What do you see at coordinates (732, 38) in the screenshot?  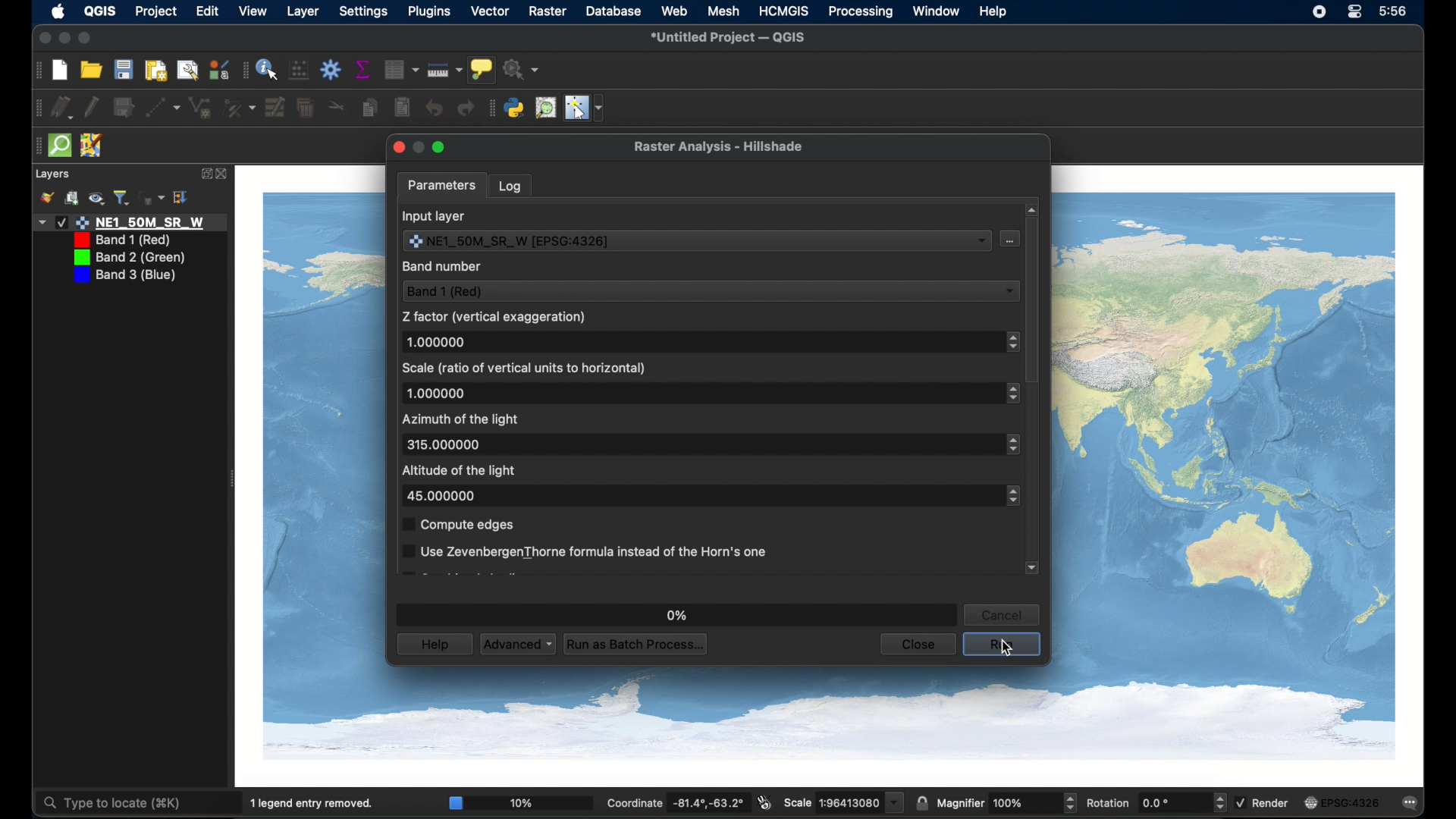 I see `untitled project - QGIS` at bounding box center [732, 38].